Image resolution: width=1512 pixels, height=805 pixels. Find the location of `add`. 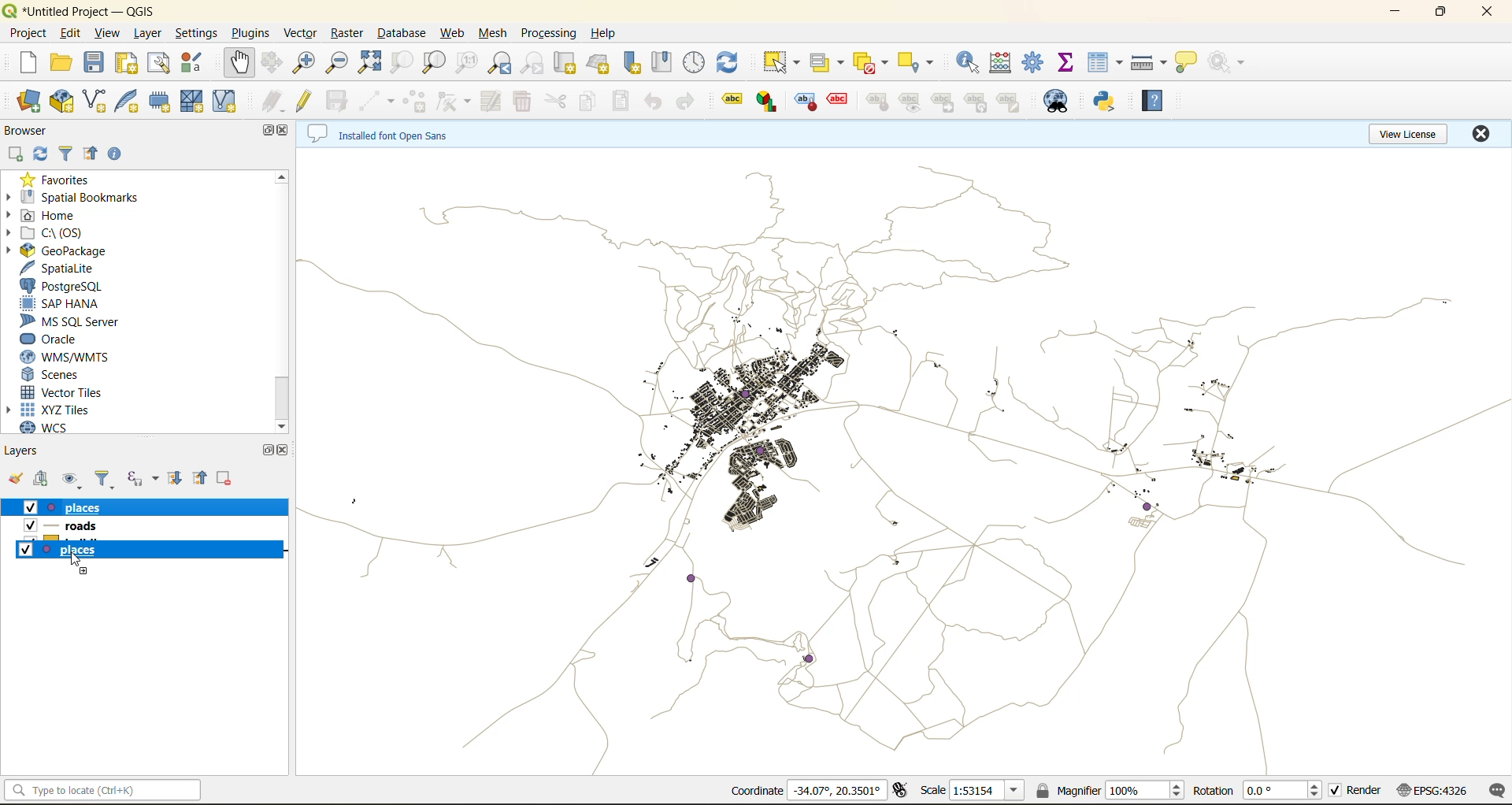

add is located at coordinates (43, 478).